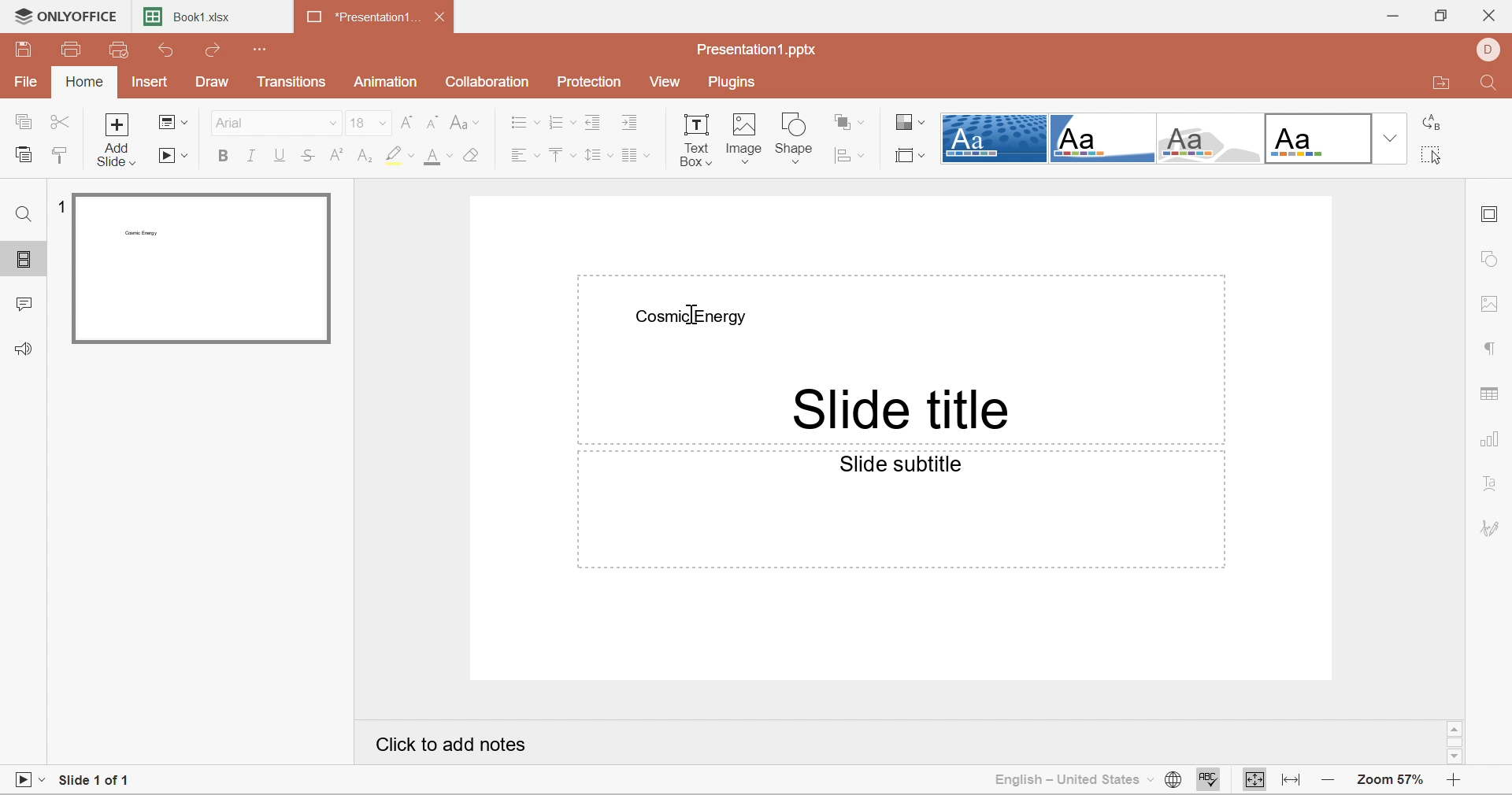 This screenshot has height=795, width=1512. Describe the element at coordinates (746, 139) in the screenshot. I see `Image` at that location.